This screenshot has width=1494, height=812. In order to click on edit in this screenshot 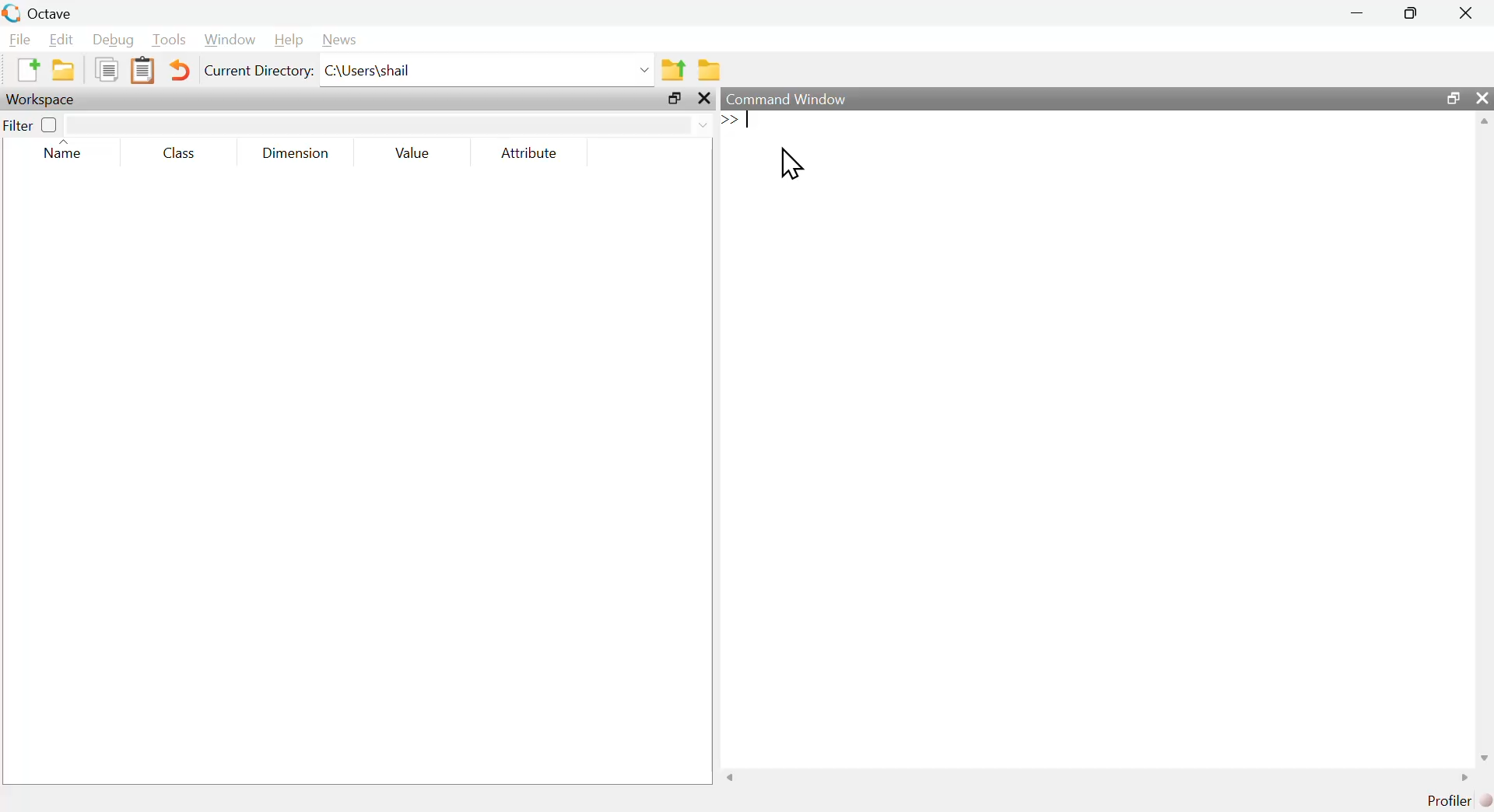, I will do `click(62, 40)`.